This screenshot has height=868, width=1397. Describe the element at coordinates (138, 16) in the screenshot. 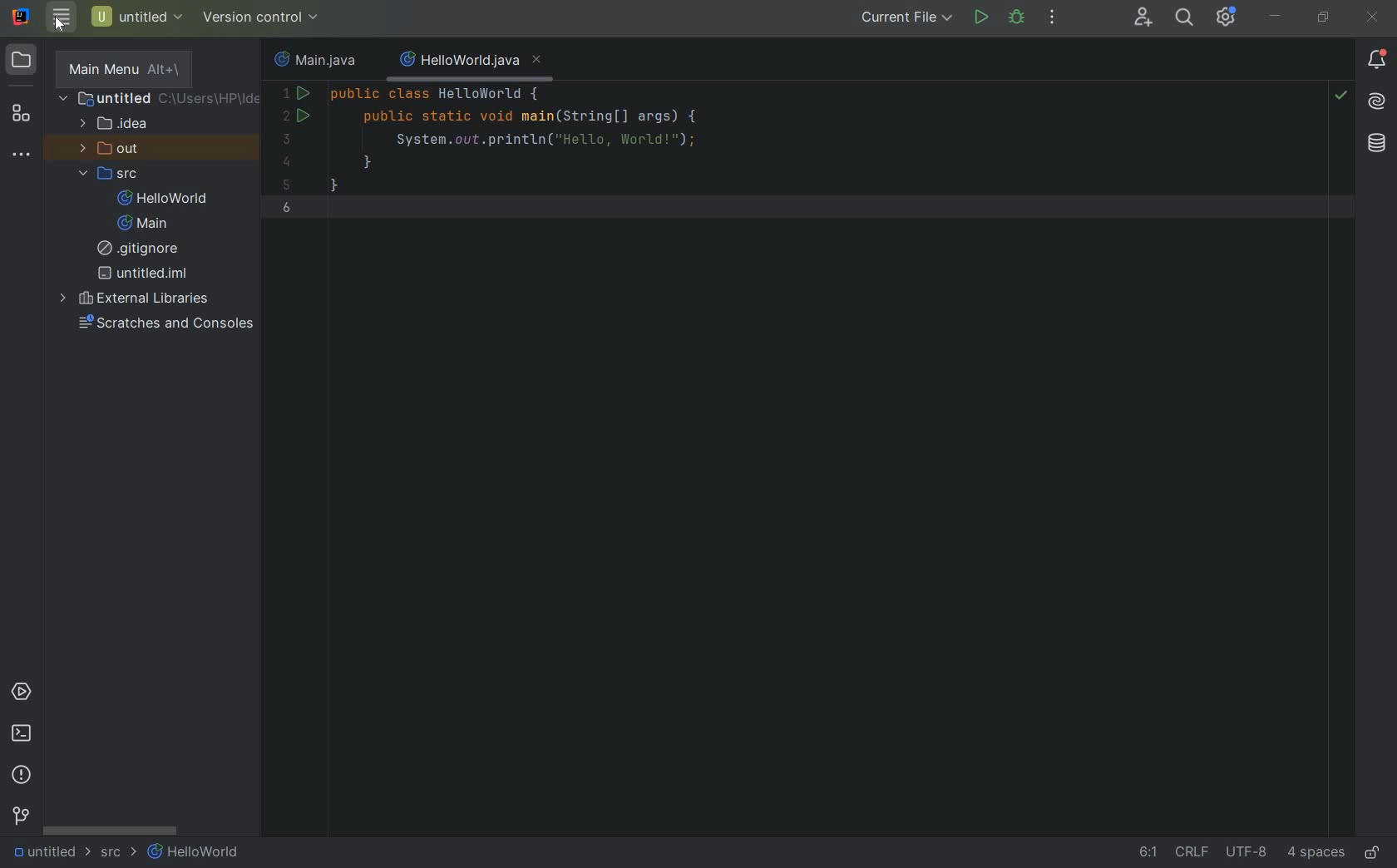

I see `UNTITLED (project name)` at that location.